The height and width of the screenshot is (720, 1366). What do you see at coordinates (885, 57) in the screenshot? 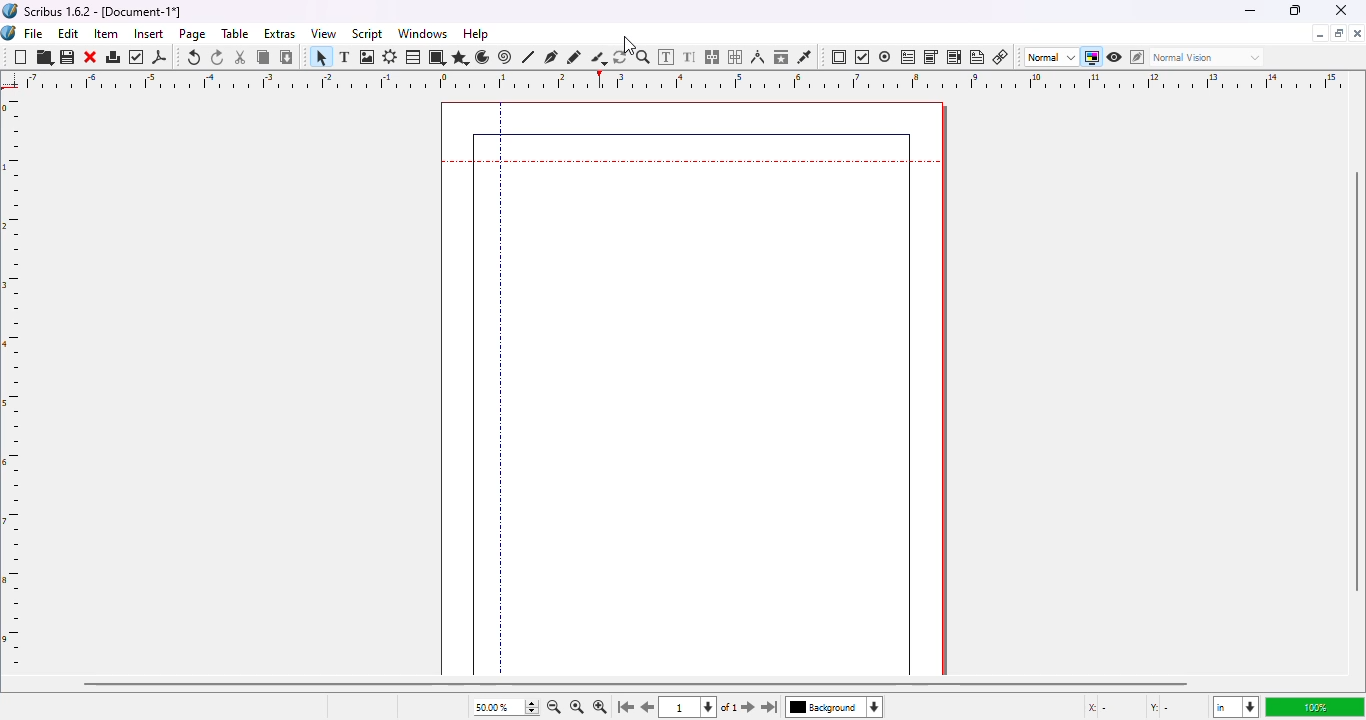
I see `PDF radio button` at bounding box center [885, 57].